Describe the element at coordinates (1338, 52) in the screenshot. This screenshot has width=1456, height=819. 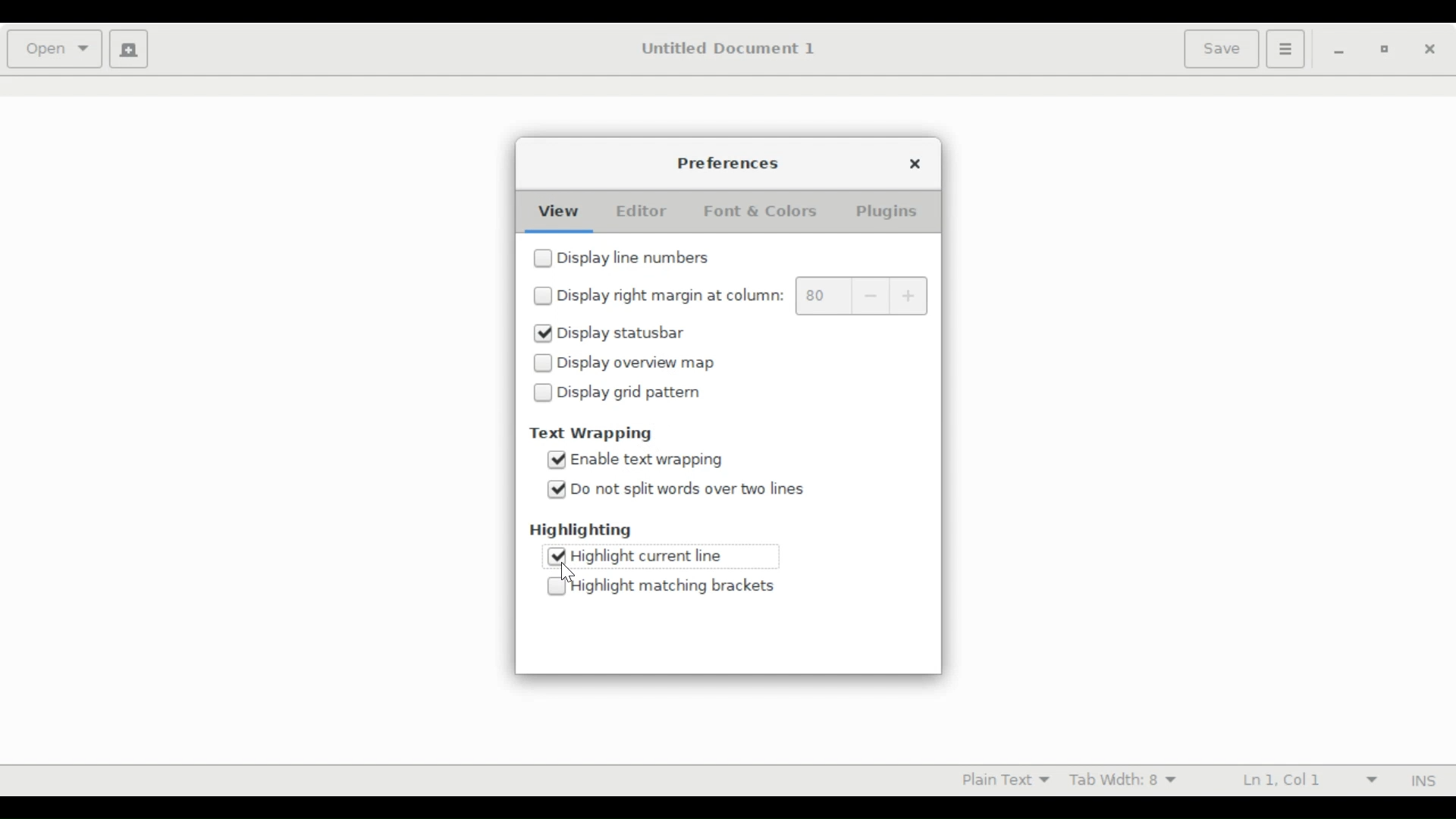
I see `minimize` at that location.